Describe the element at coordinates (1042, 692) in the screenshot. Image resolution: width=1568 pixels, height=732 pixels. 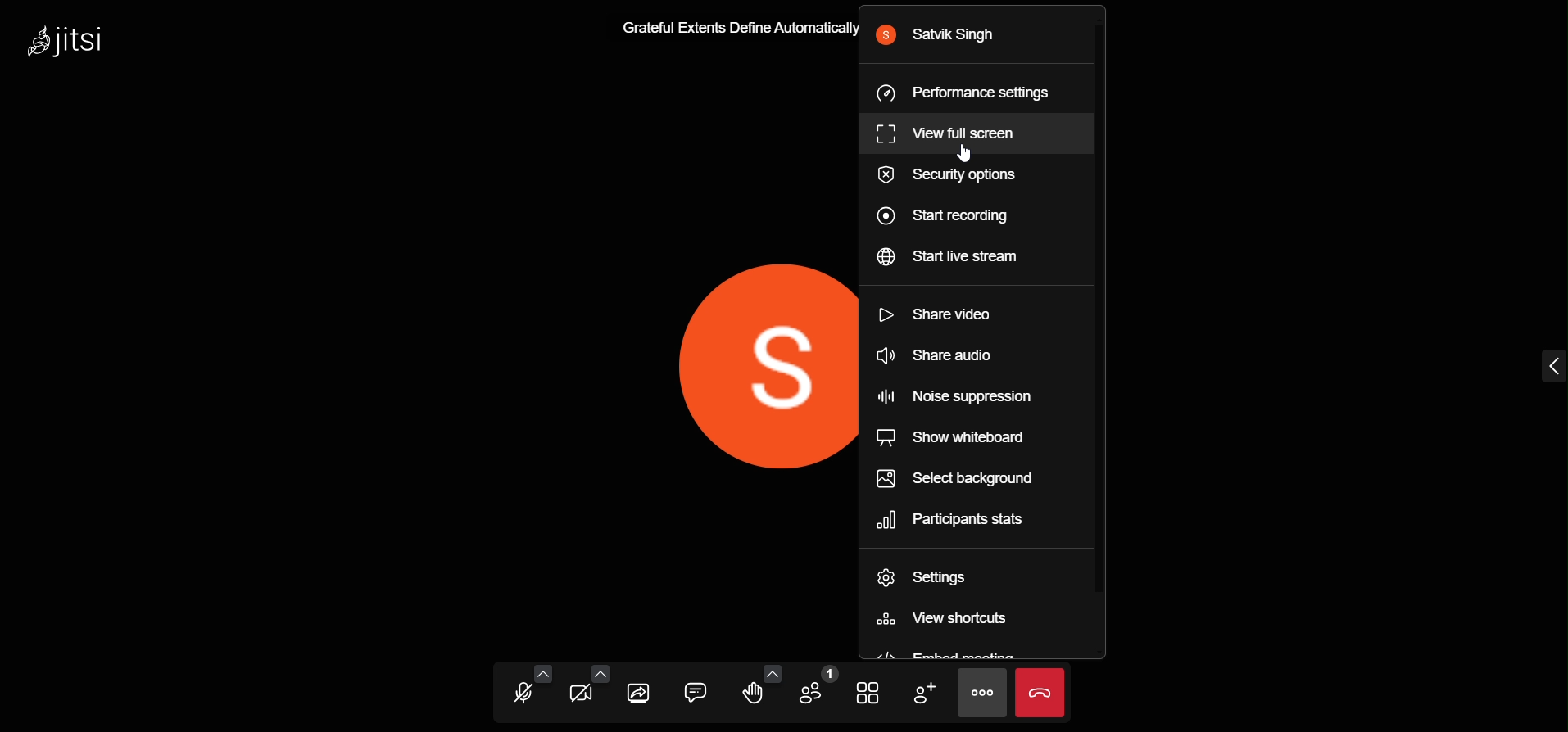
I see `leave the meeting` at that location.